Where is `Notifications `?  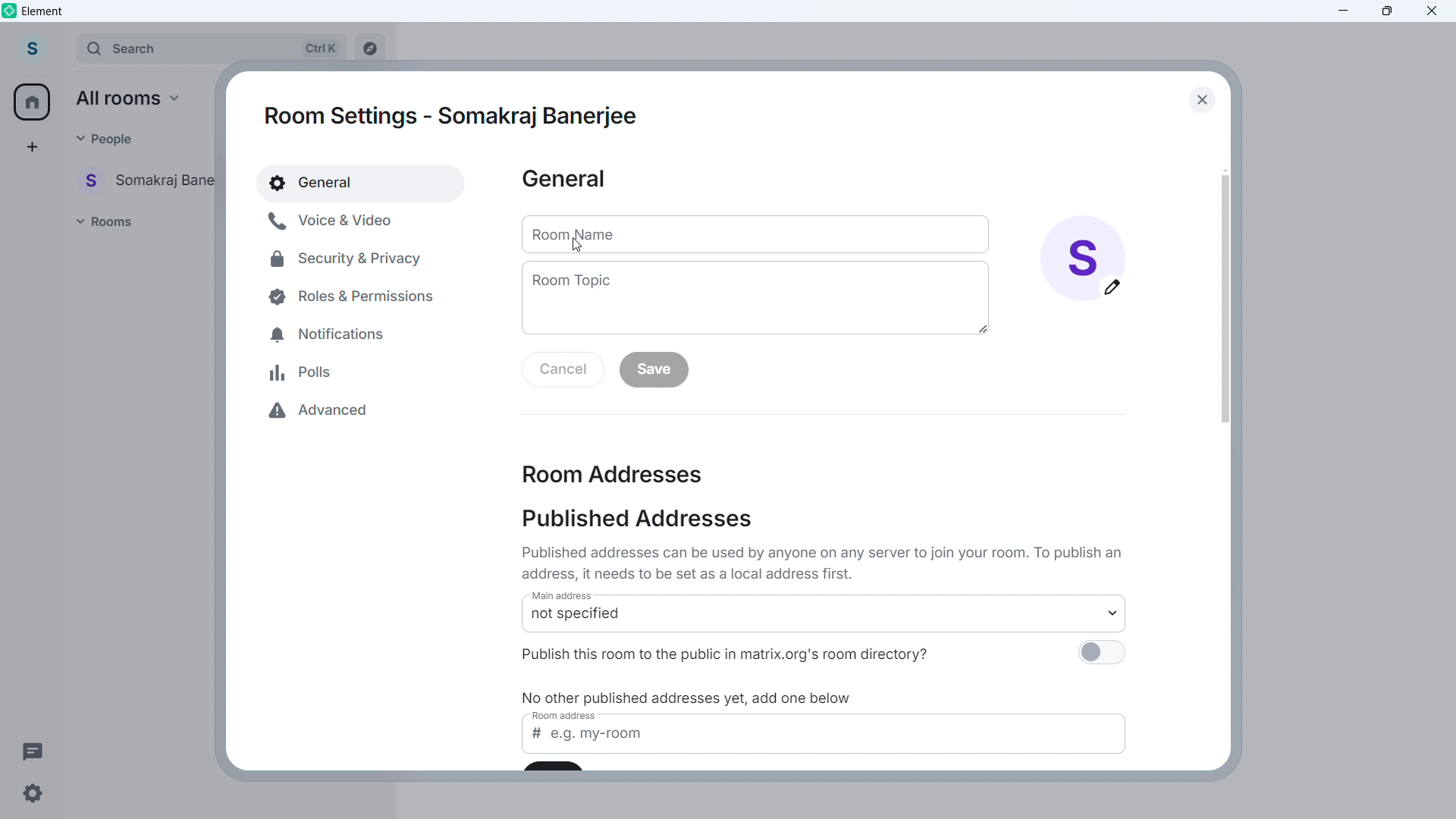
Notifications  is located at coordinates (334, 331).